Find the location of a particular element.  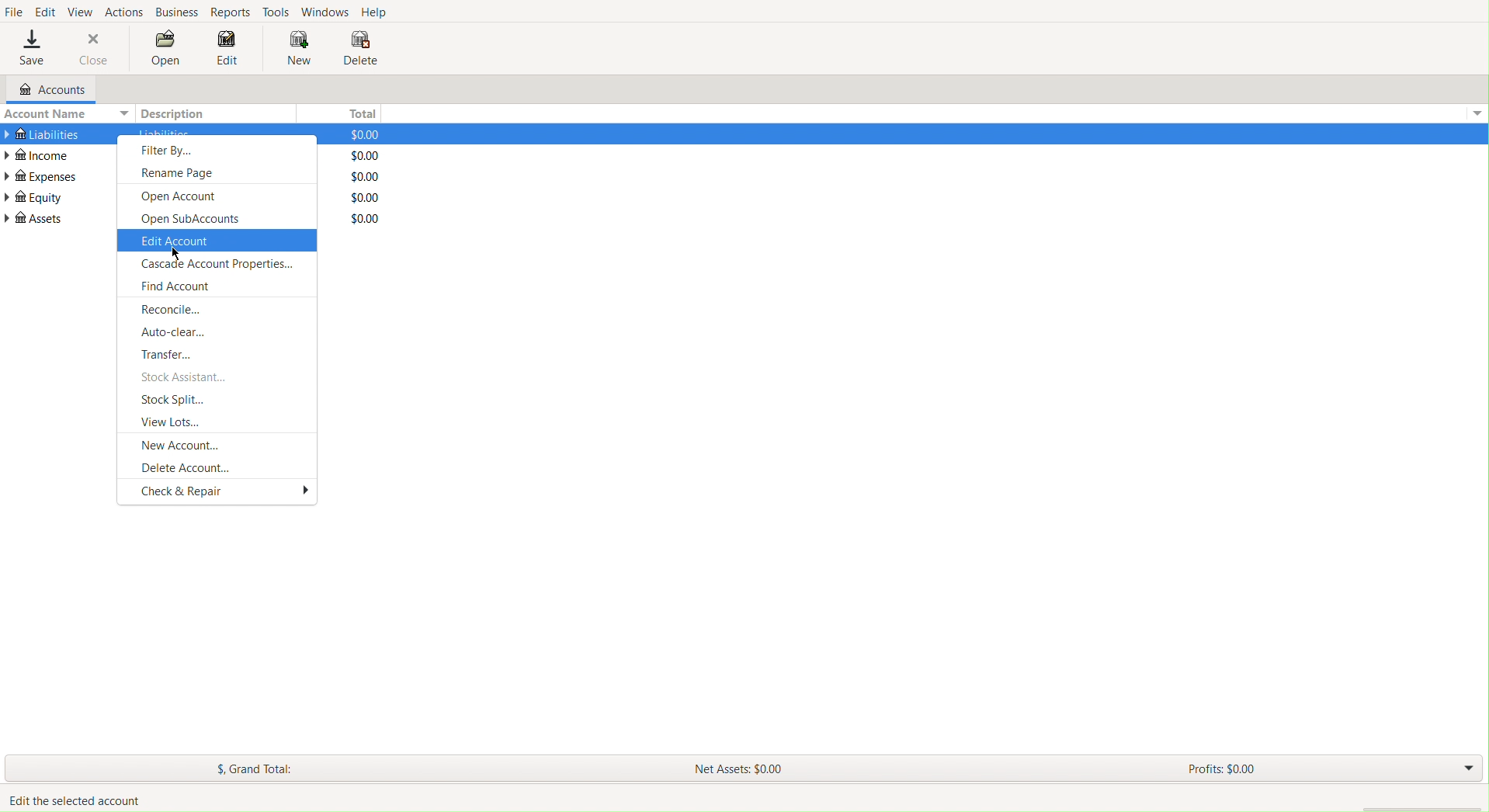

Open Sub Accounts is located at coordinates (193, 219).